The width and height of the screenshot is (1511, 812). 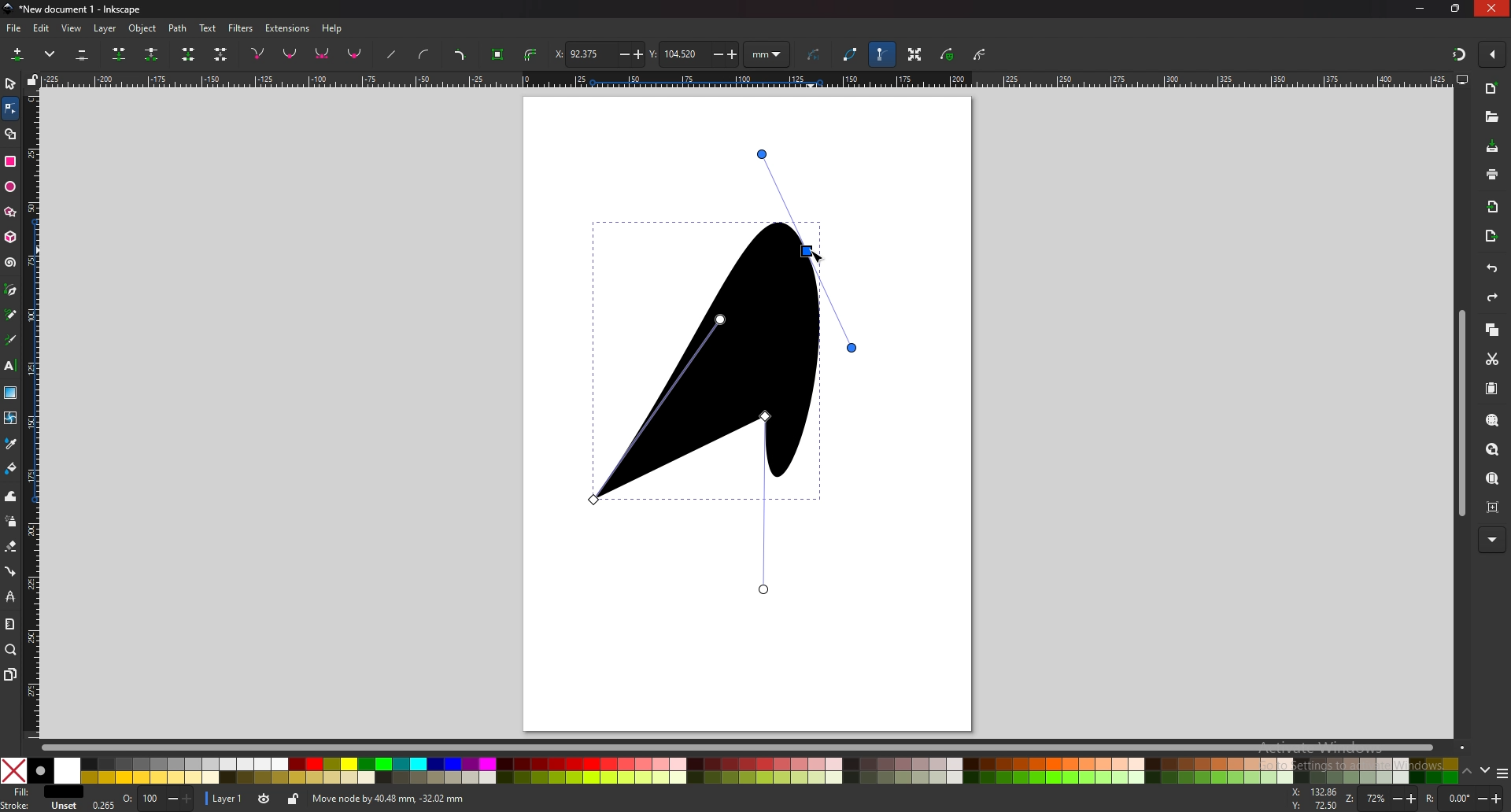 What do you see at coordinates (1492, 330) in the screenshot?
I see `copy` at bounding box center [1492, 330].